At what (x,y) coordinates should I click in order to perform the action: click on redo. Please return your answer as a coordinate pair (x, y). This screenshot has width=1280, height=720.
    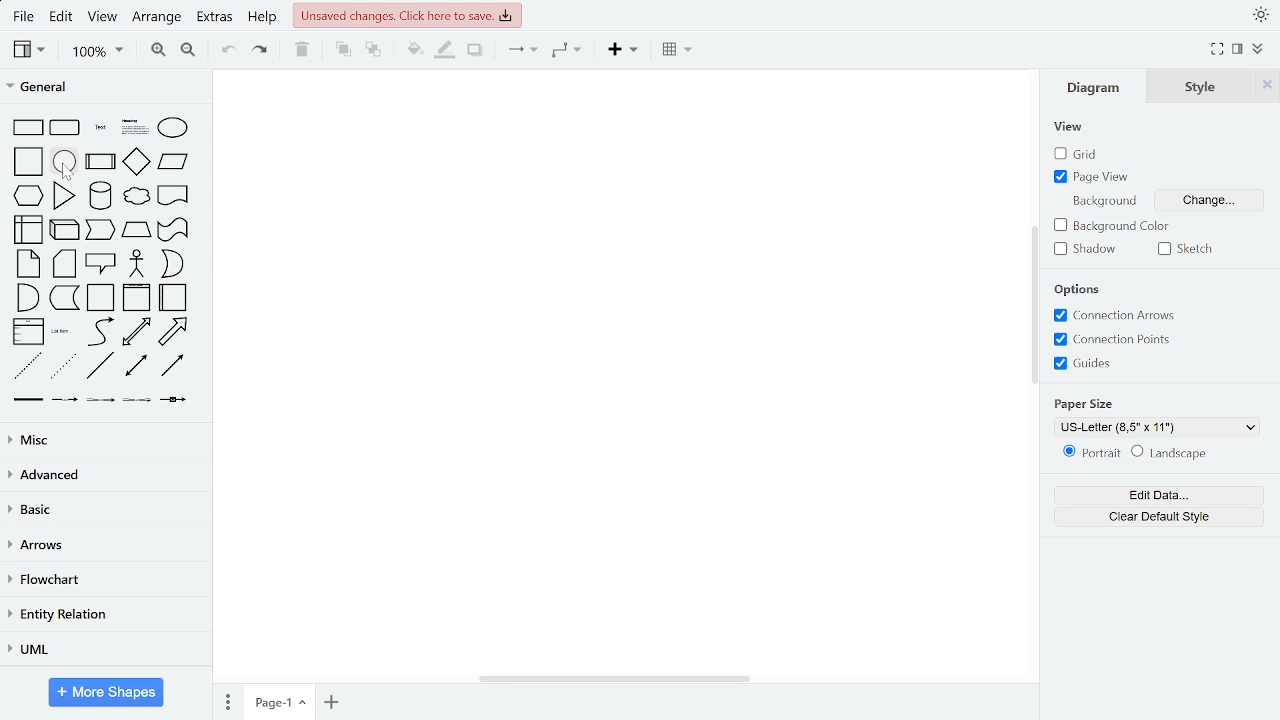
    Looking at the image, I should click on (258, 52).